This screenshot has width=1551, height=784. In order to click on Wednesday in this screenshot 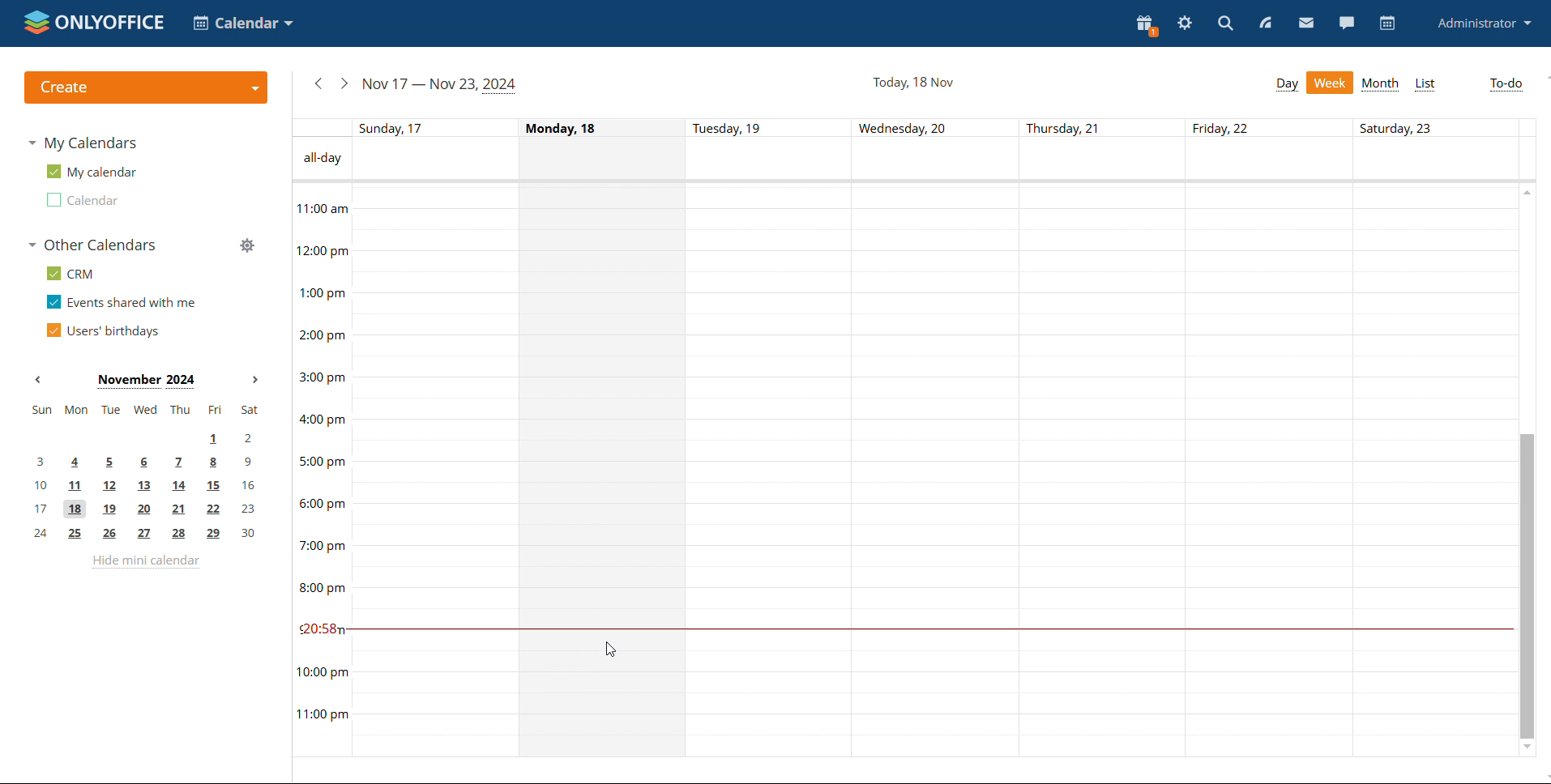, I will do `click(937, 471)`.